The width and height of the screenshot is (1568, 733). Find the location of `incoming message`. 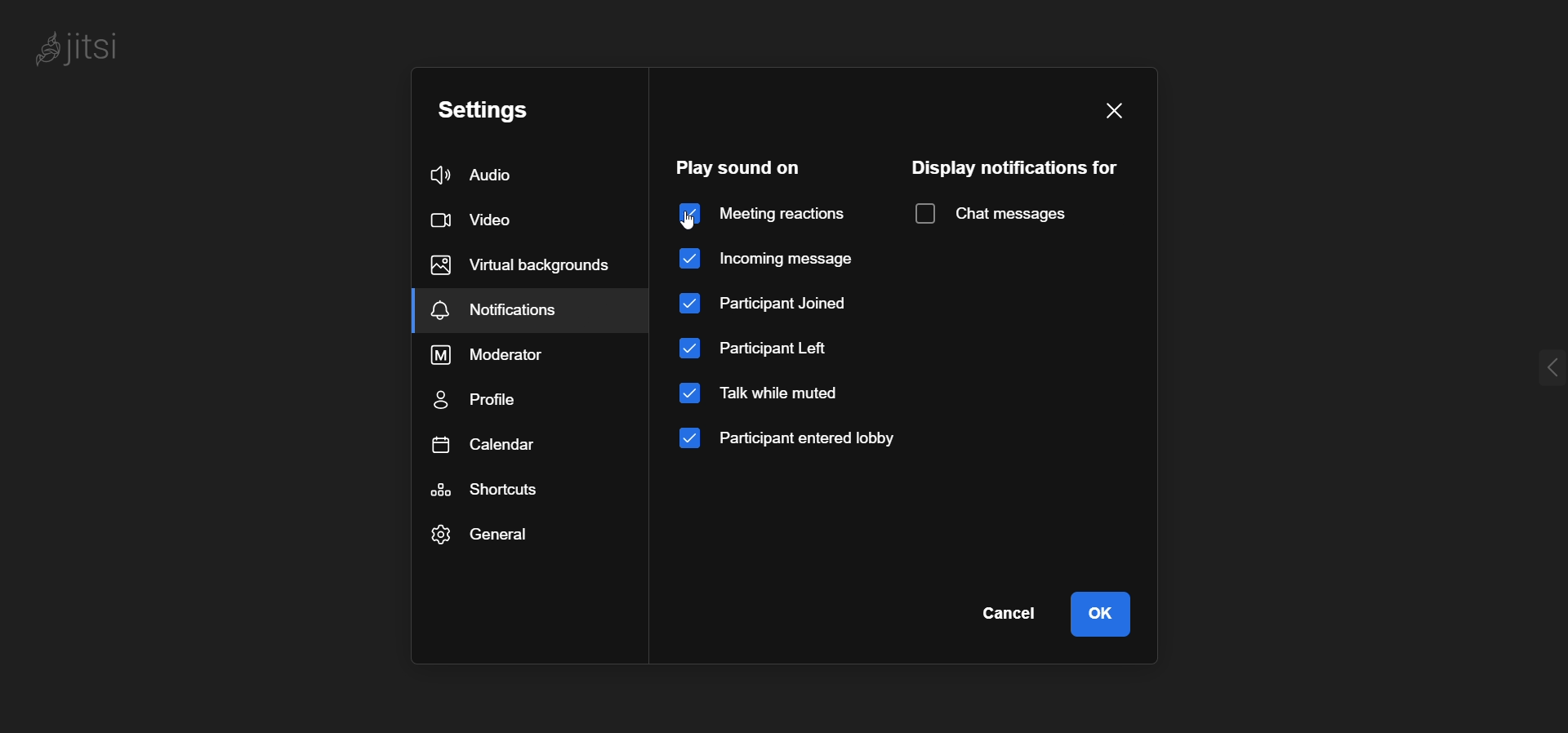

incoming message is located at coordinates (781, 257).